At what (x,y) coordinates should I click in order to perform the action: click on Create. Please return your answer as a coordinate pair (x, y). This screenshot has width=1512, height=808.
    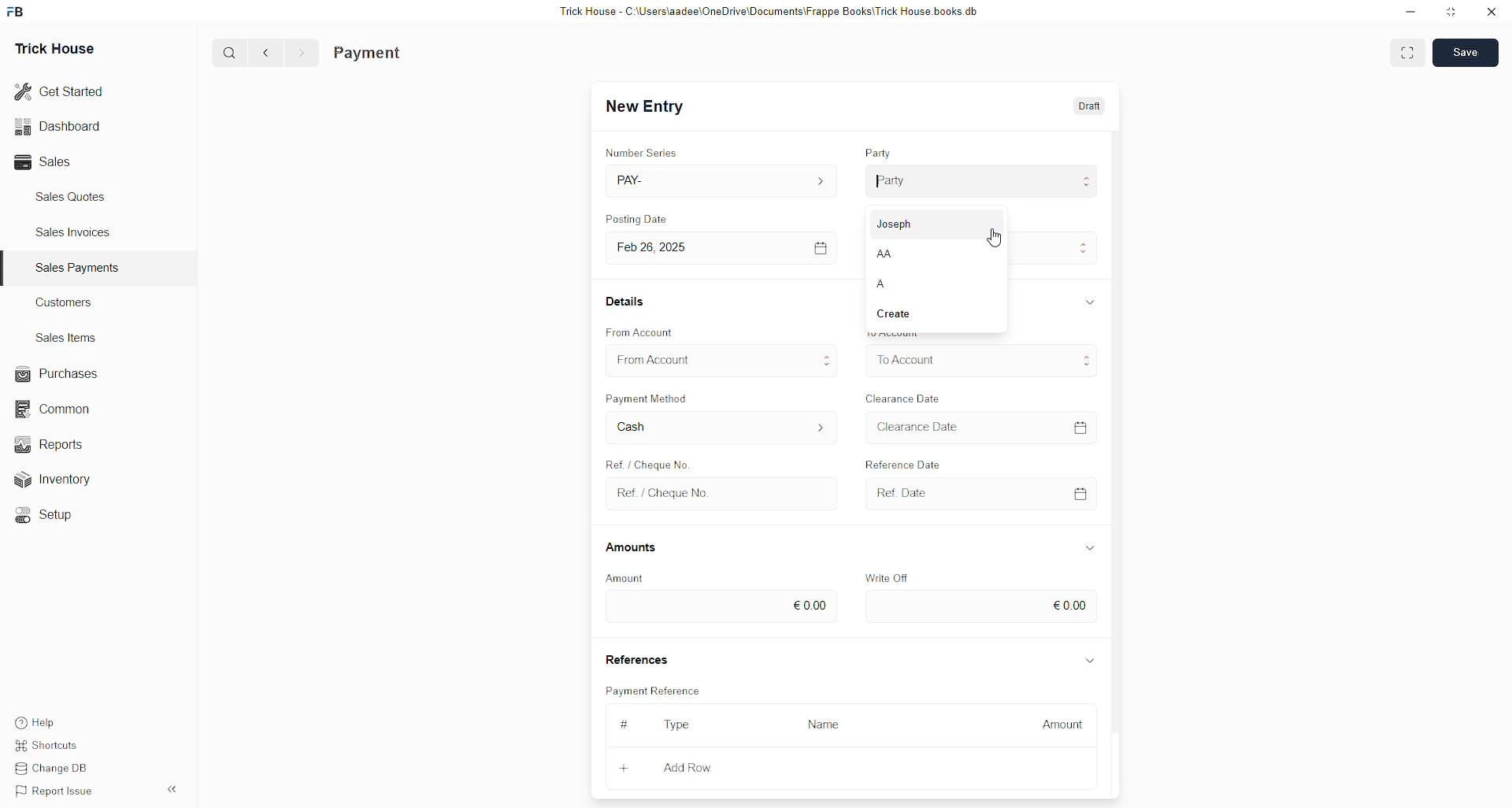
    Looking at the image, I should click on (933, 317).